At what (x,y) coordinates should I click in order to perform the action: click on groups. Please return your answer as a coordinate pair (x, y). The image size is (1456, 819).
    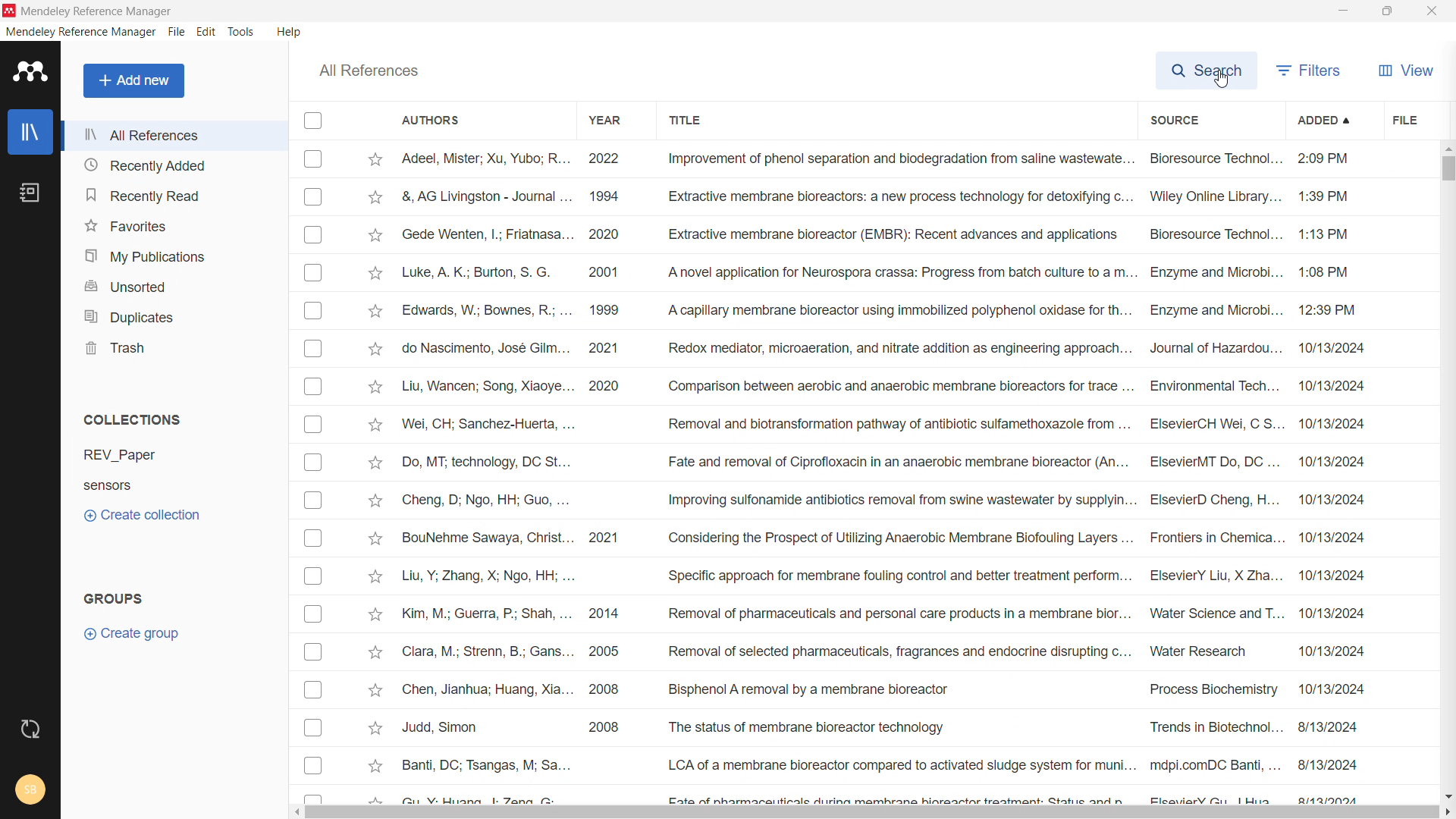
    Looking at the image, I should click on (114, 598).